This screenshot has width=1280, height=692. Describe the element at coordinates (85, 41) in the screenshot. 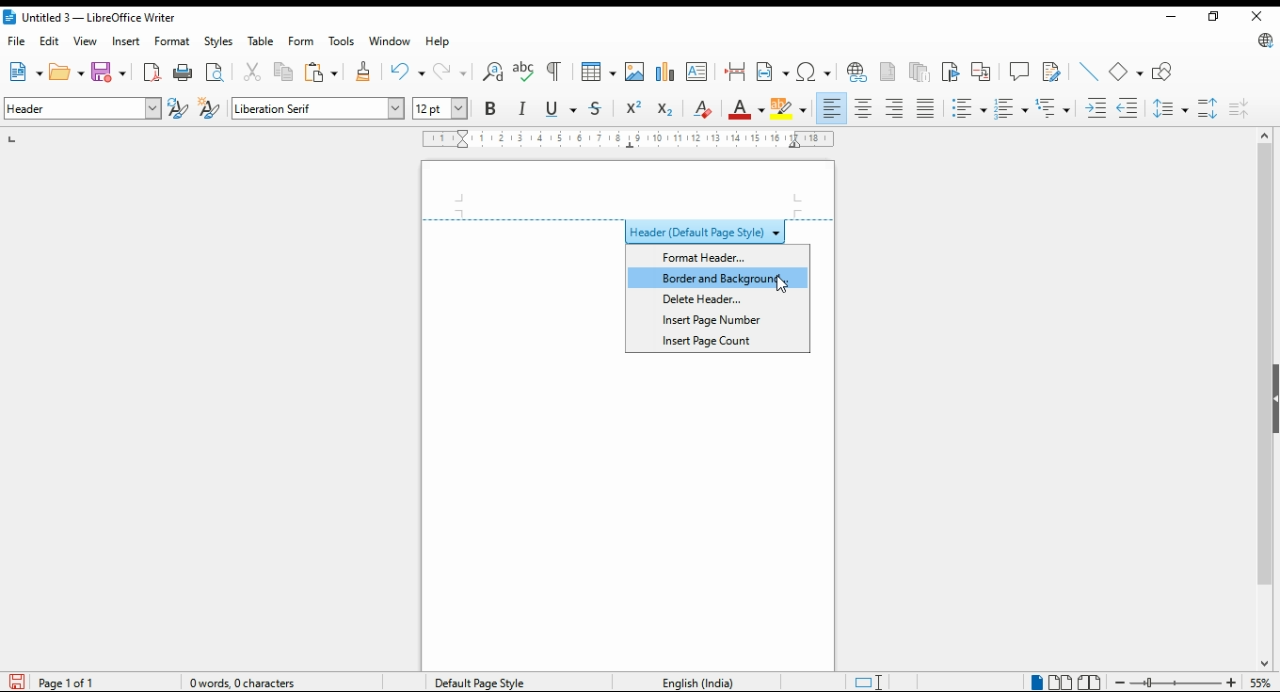

I see `view` at that location.